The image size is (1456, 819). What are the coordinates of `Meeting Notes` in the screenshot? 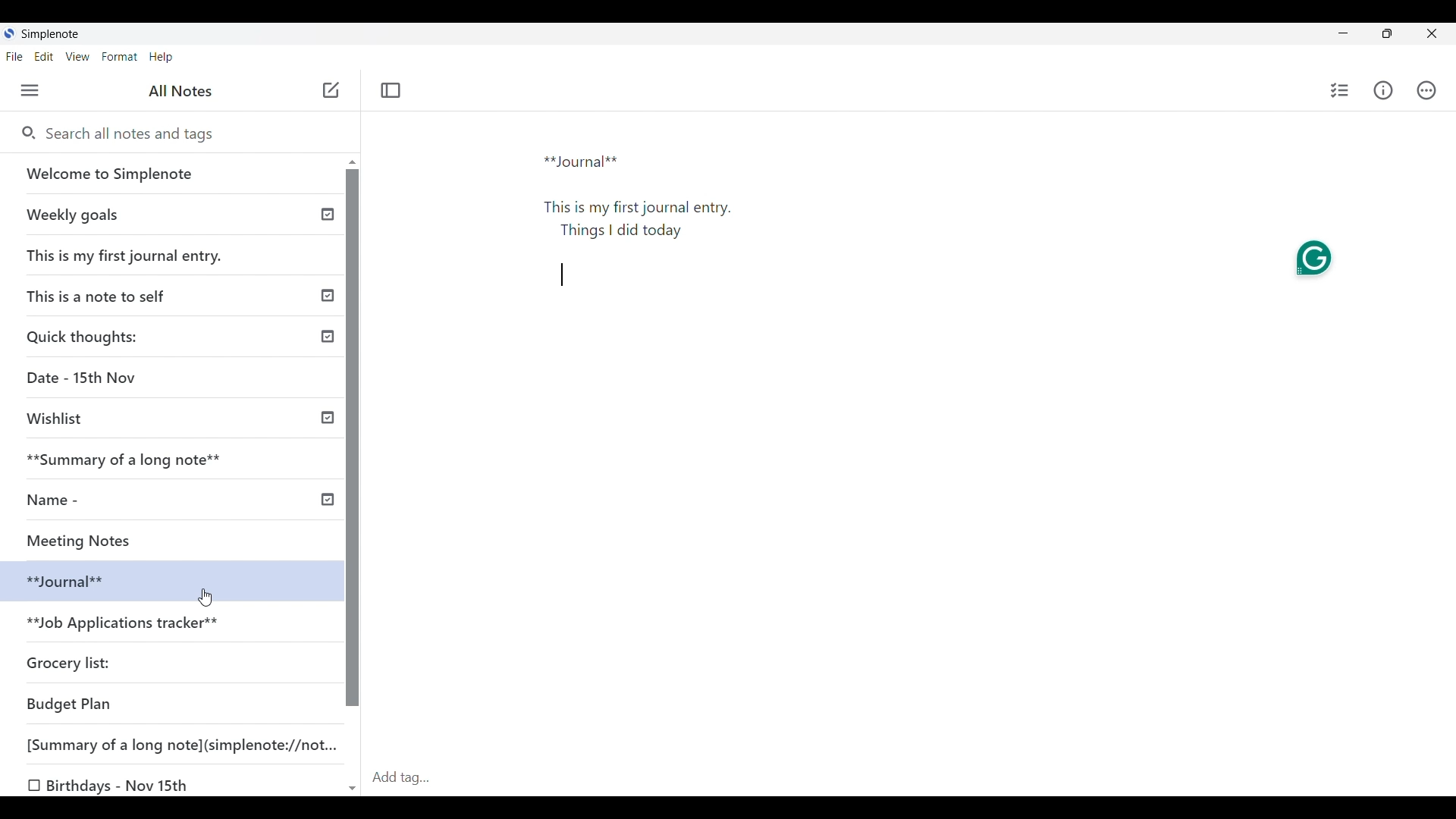 It's located at (96, 538).